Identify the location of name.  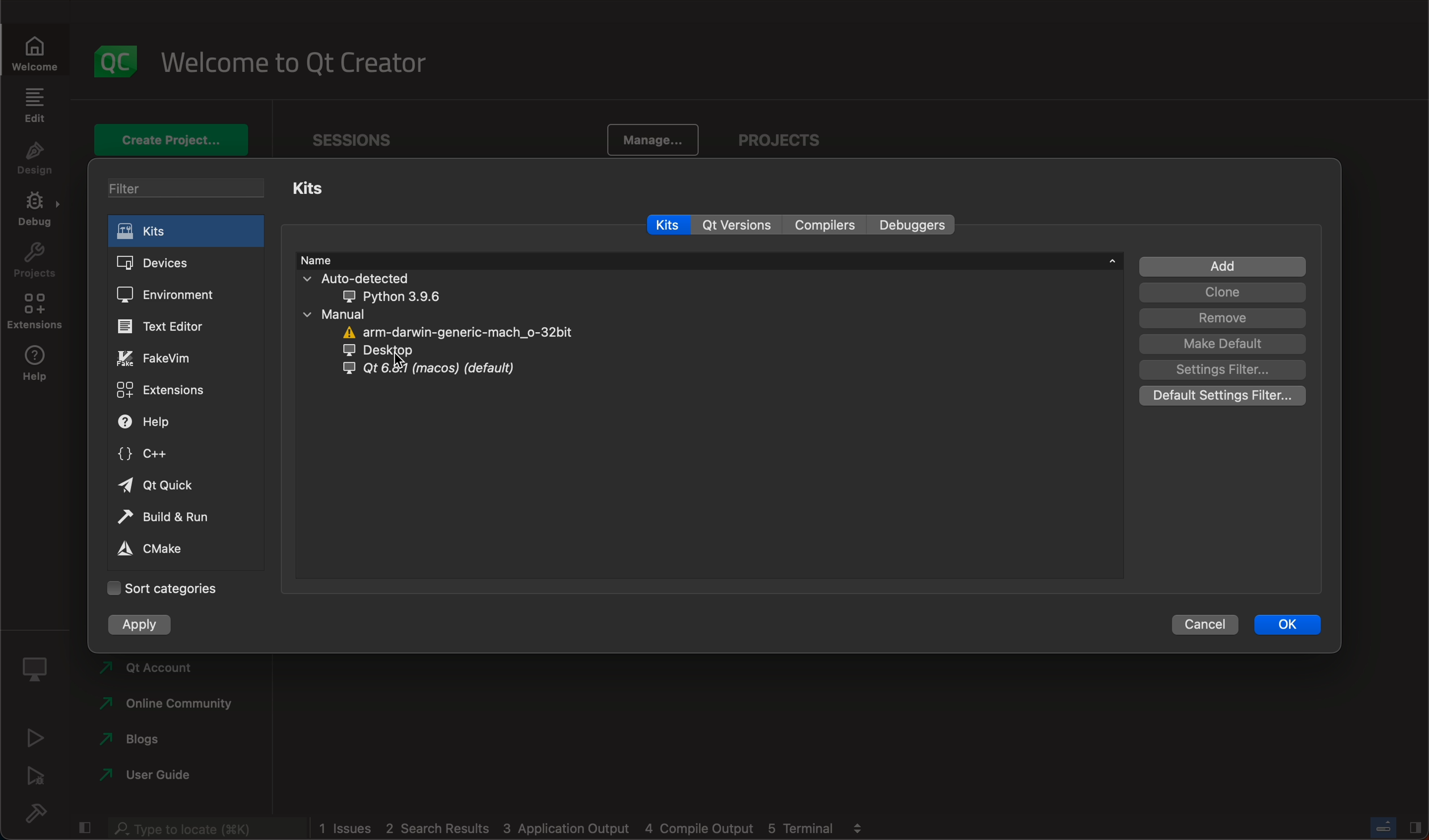
(707, 260).